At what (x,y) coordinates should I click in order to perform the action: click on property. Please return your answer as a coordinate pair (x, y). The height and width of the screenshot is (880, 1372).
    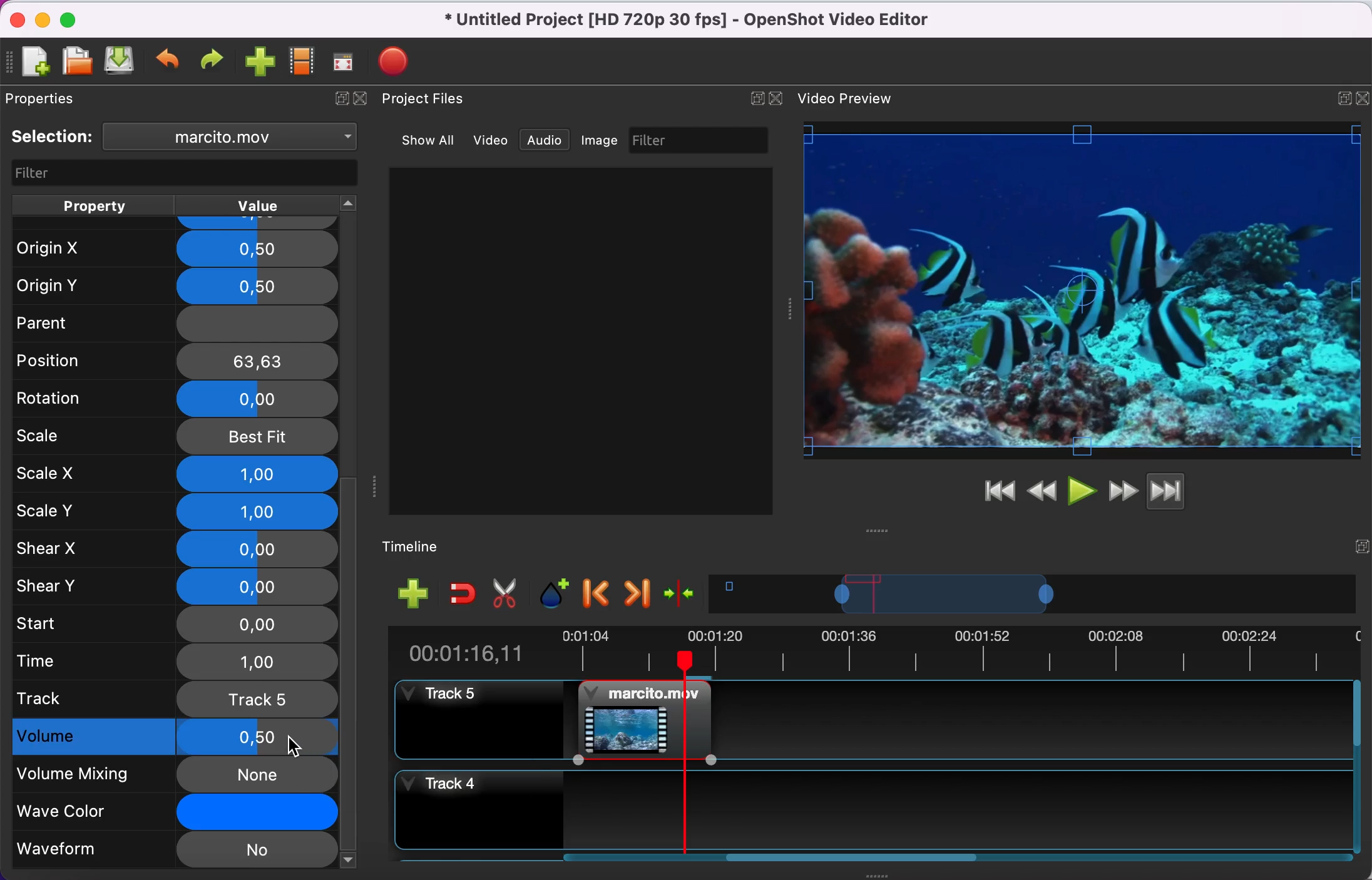
    Looking at the image, I should click on (95, 204).